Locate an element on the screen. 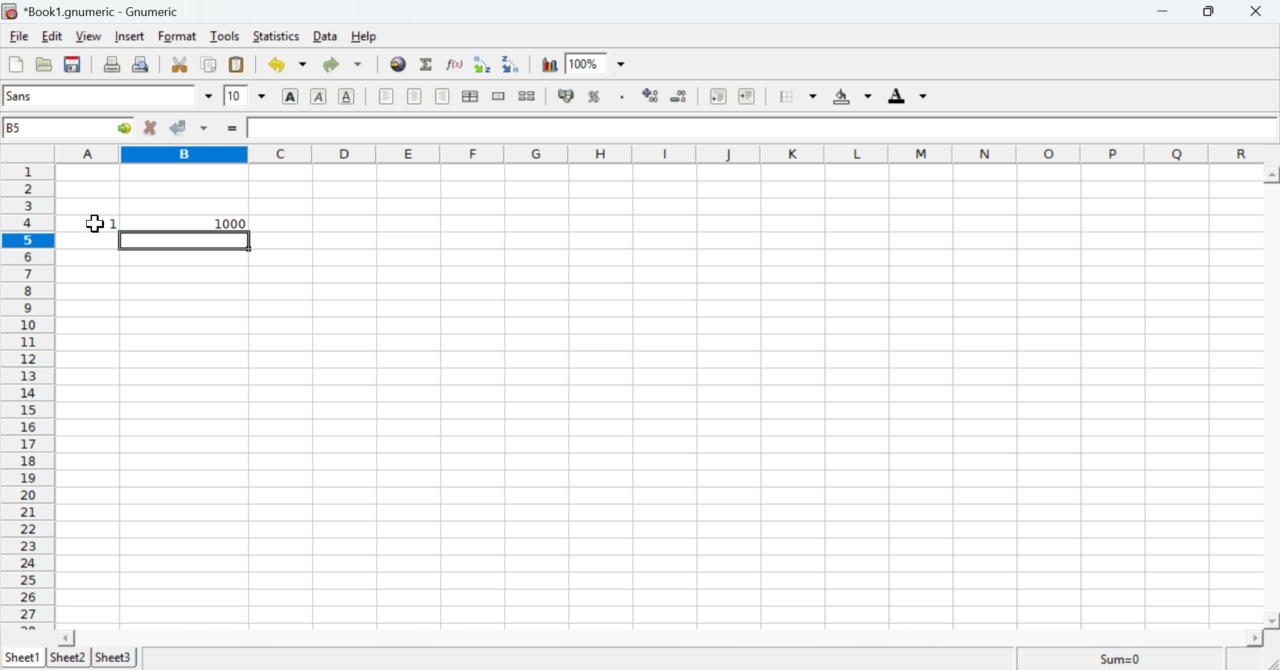 Image resolution: width=1280 pixels, height=670 pixels. Edit function is located at coordinates (457, 64).